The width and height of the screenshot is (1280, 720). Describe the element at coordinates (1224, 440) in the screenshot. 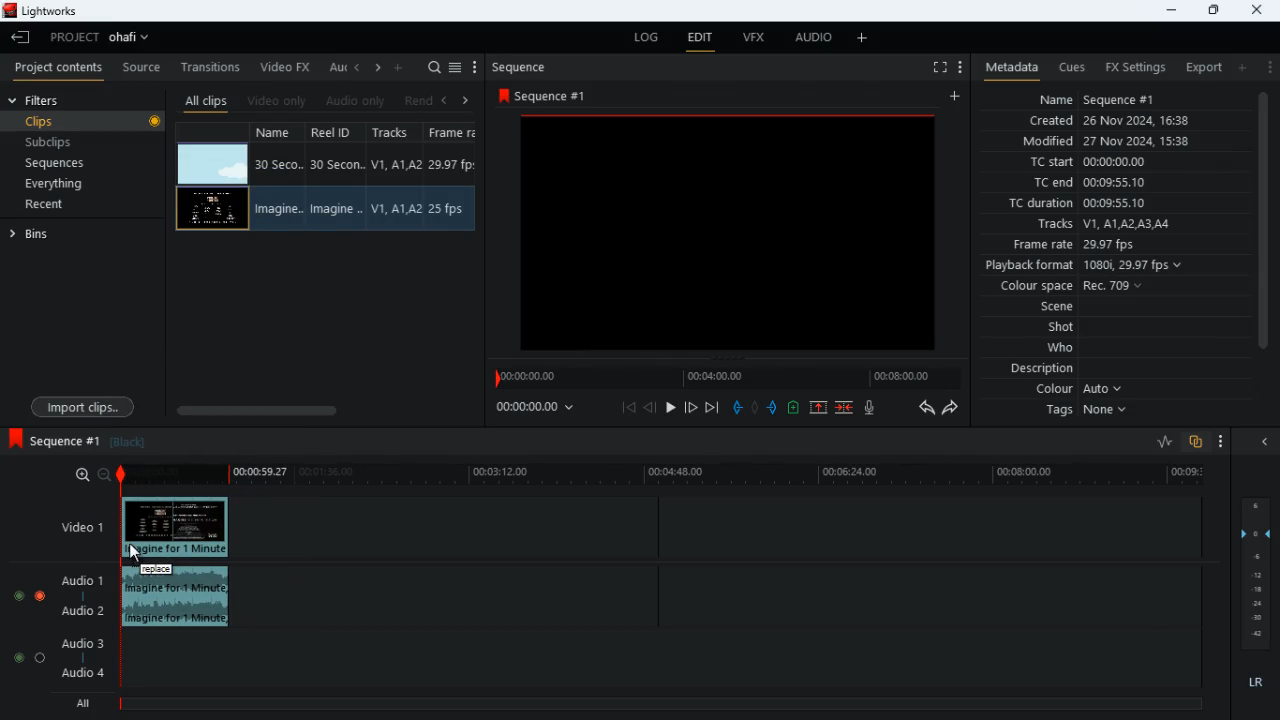

I see `more` at that location.